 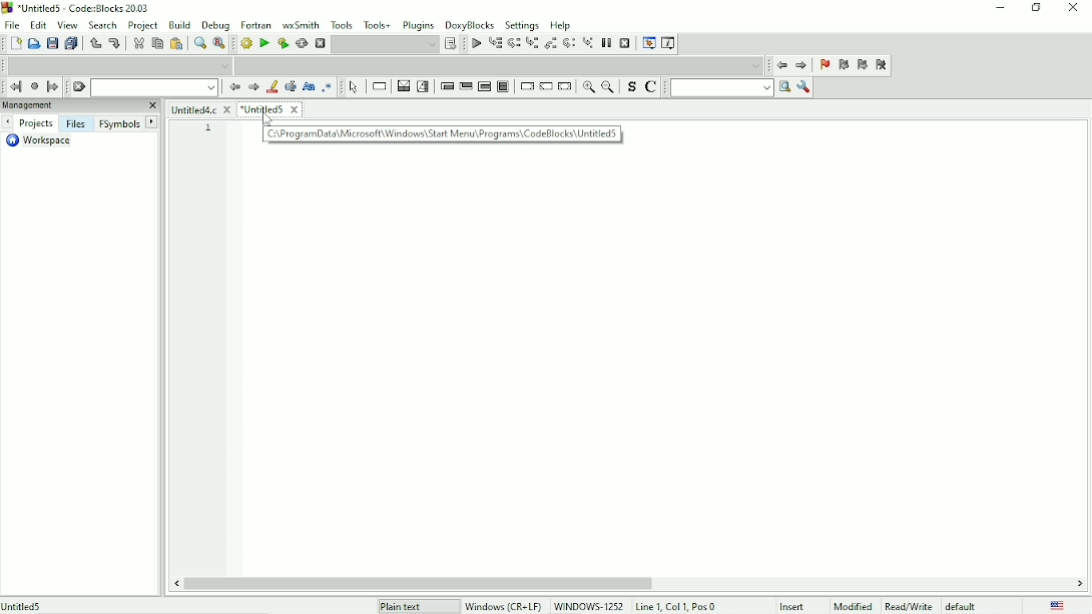 I want to click on Last jump, so click(x=34, y=87).